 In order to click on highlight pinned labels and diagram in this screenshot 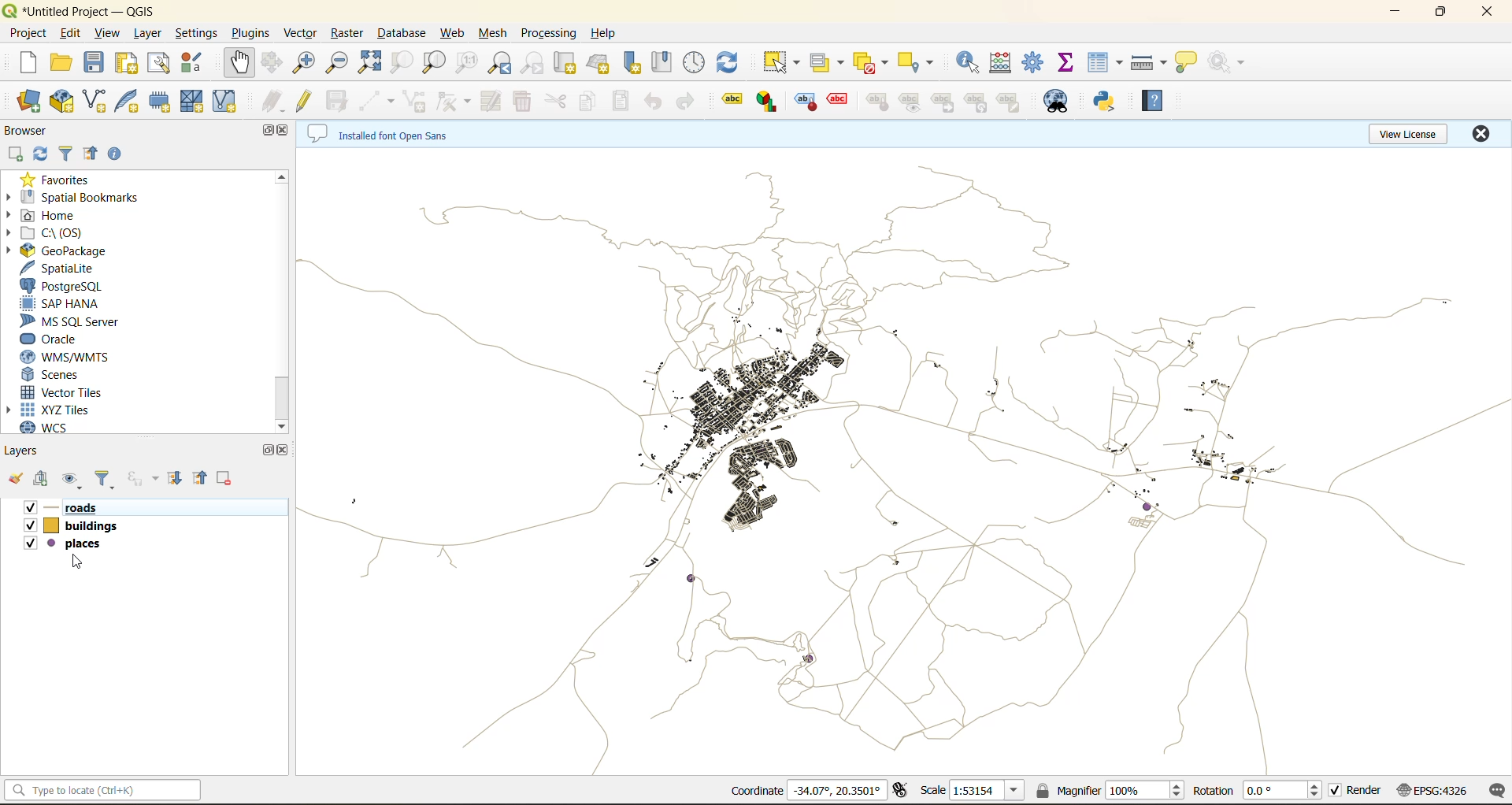, I will do `click(804, 102)`.